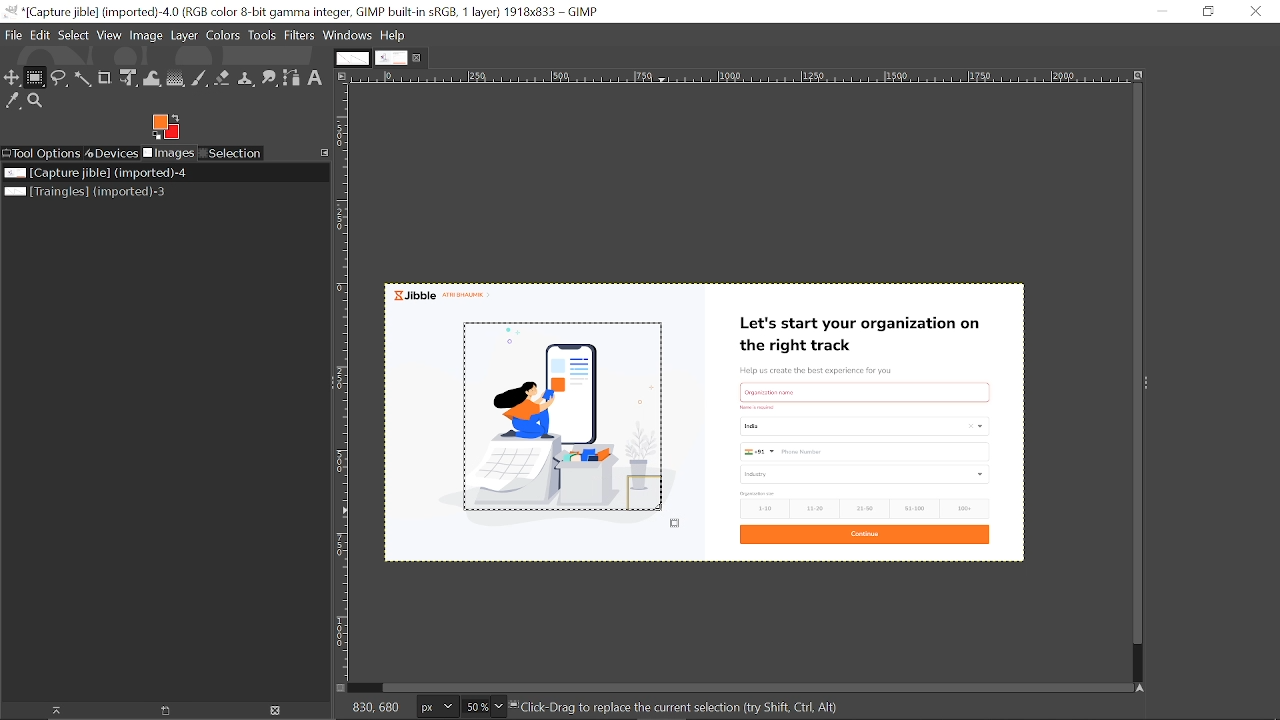 Image resolution: width=1280 pixels, height=720 pixels. I want to click on Images, so click(172, 154).